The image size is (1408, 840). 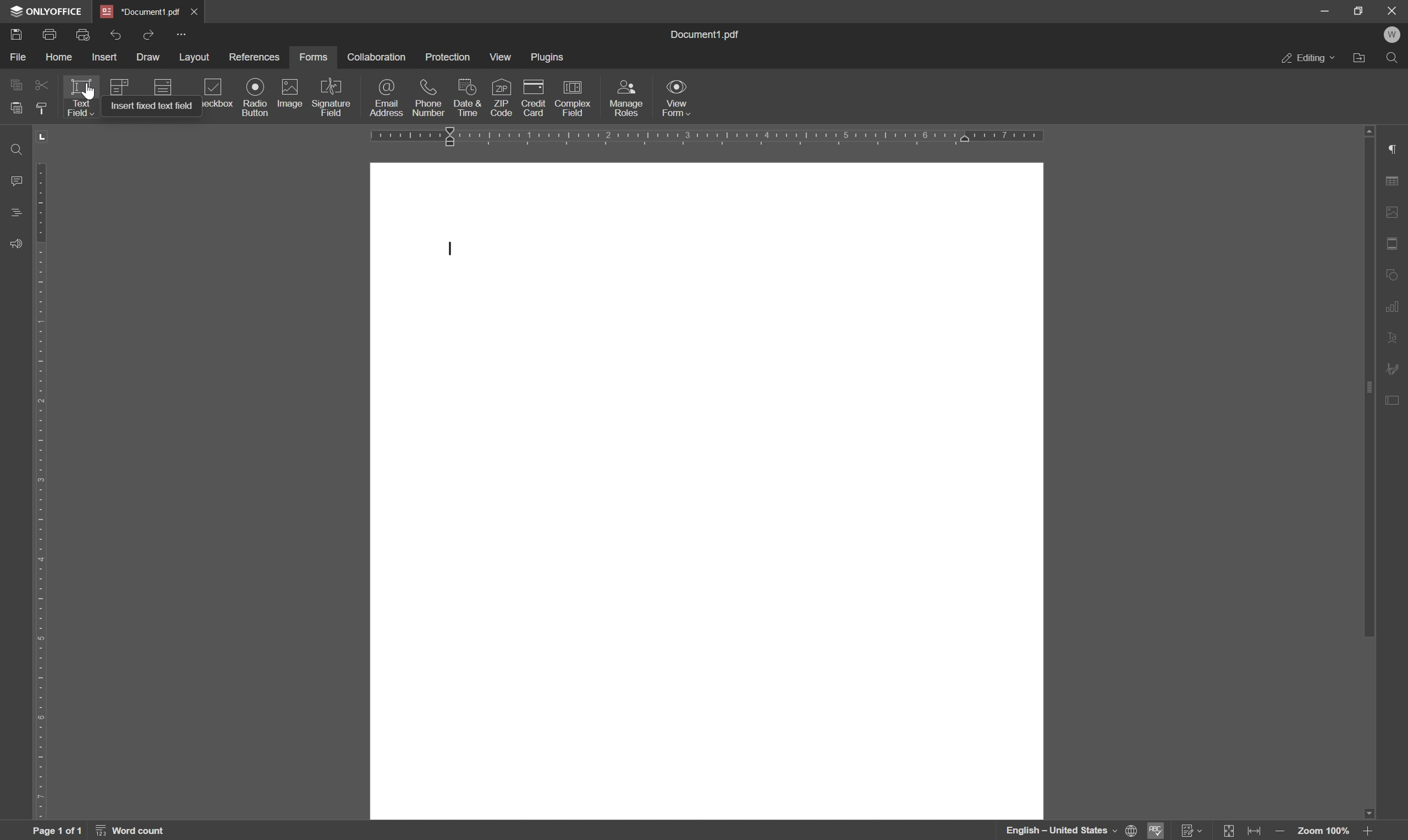 I want to click on paste, so click(x=17, y=107).